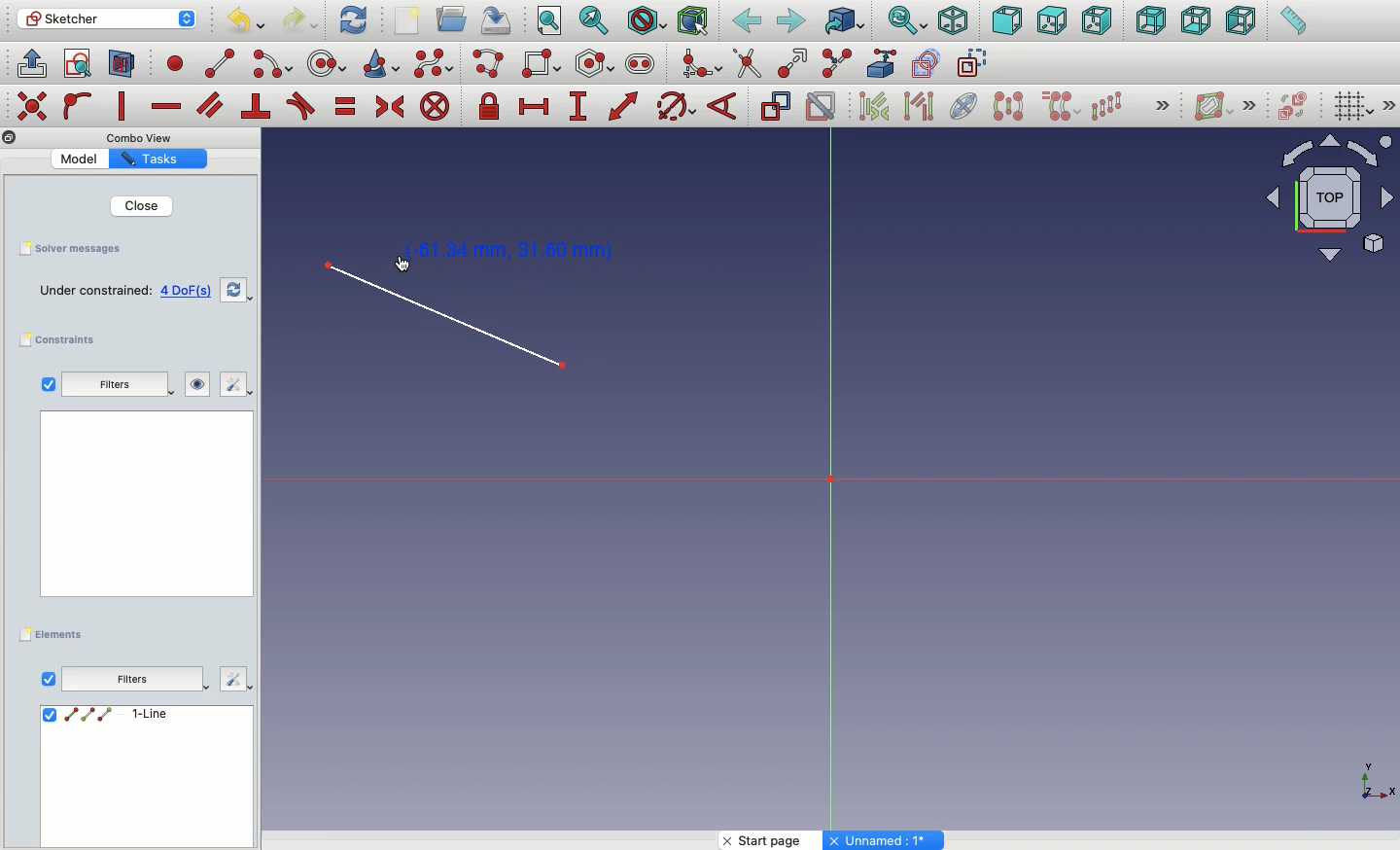  I want to click on Close, so click(144, 206).